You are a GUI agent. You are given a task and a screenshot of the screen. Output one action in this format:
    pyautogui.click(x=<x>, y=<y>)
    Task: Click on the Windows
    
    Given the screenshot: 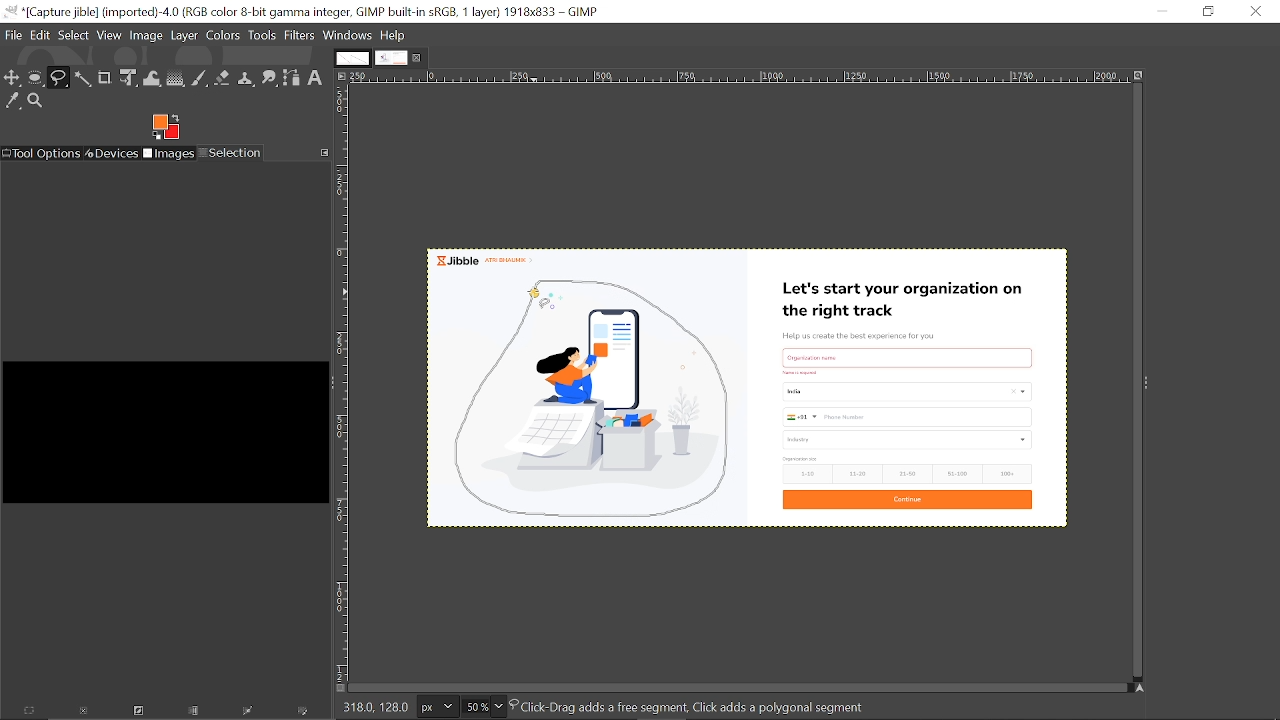 What is the action you would take?
    pyautogui.click(x=348, y=35)
    